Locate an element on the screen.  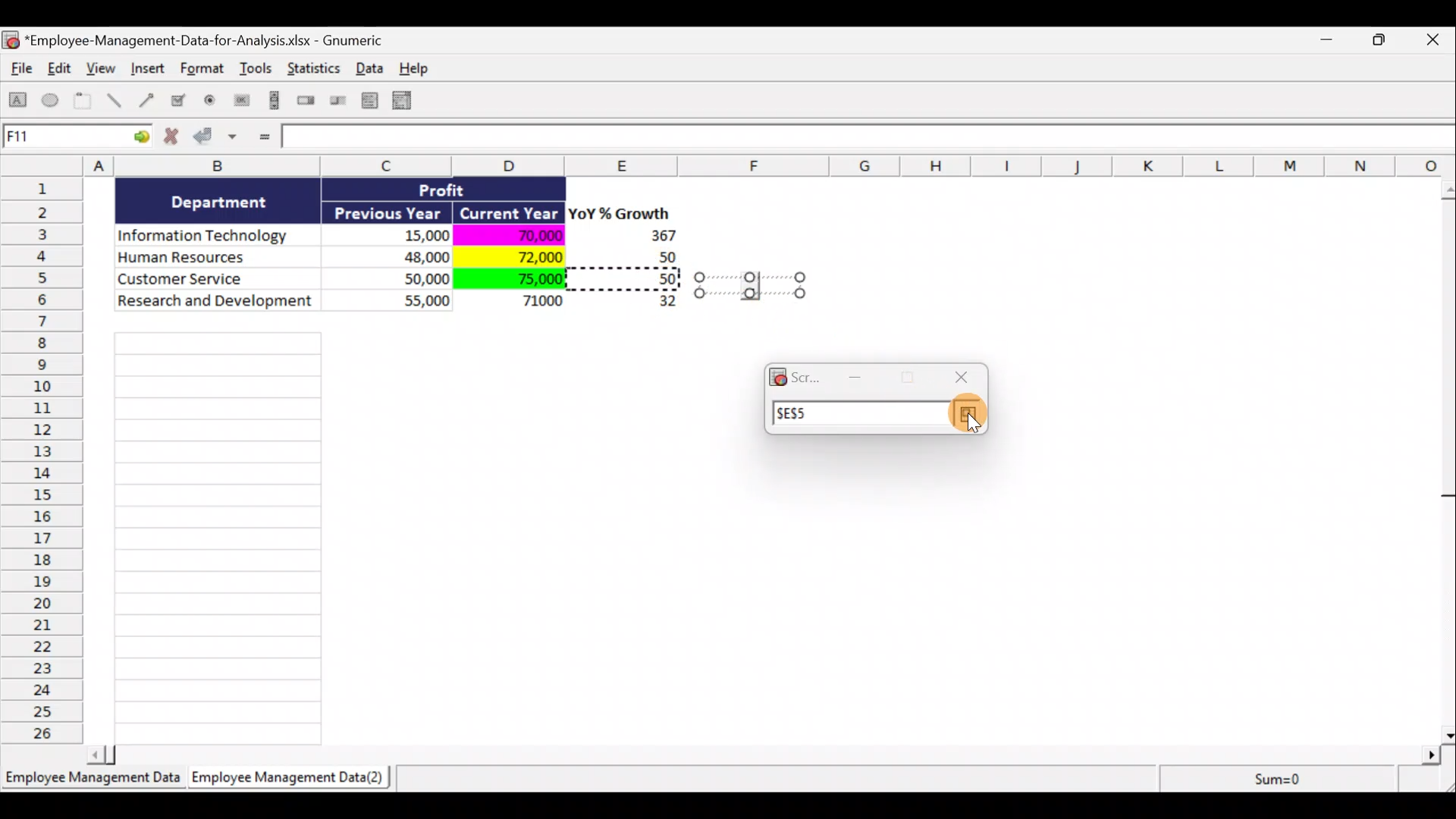
Data is located at coordinates (399, 256).